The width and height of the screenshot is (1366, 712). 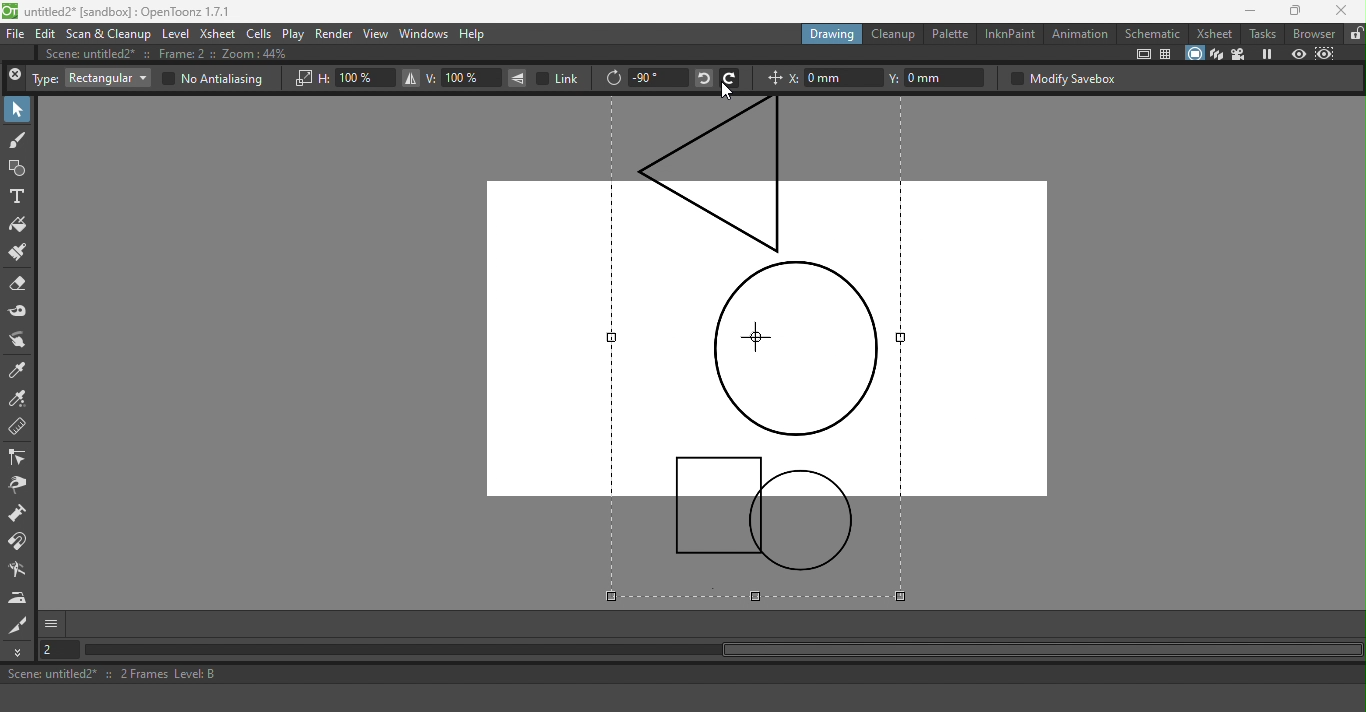 I want to click on Blender tool, so click(x=20, y=570).